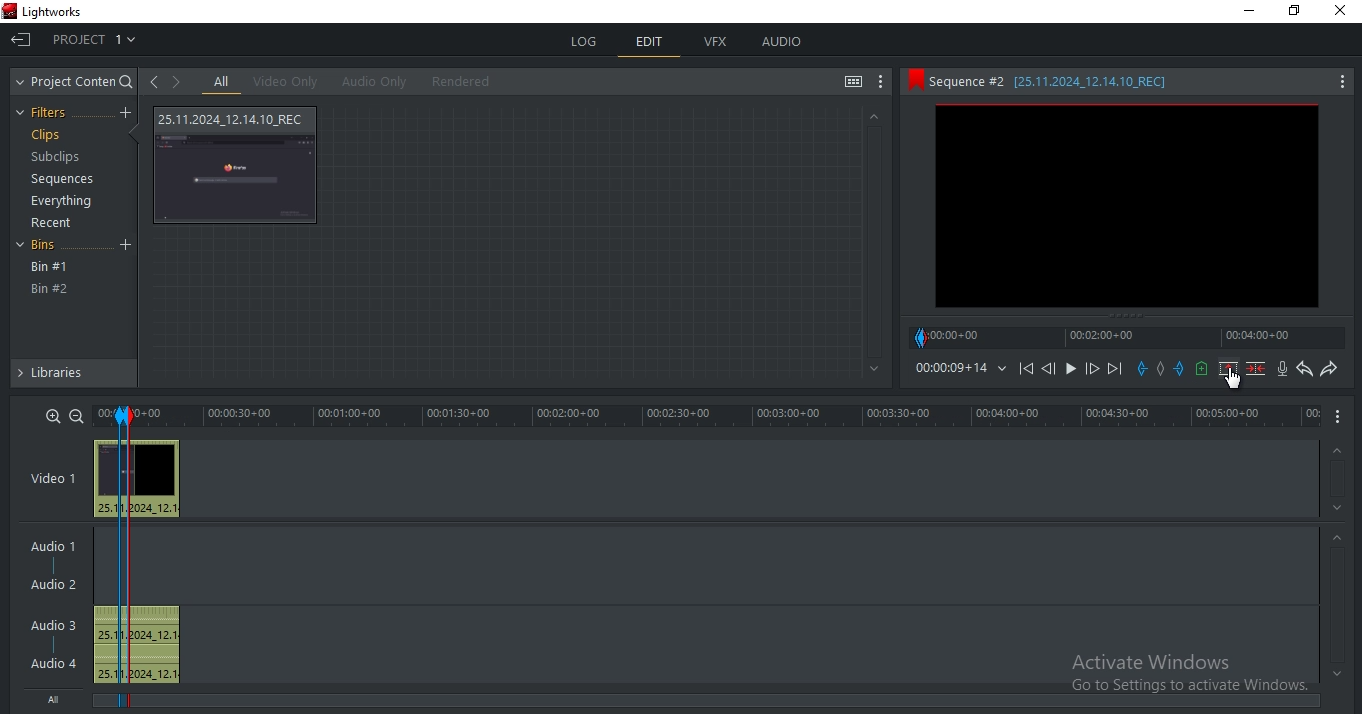  What do you see at coordinates (1338, 508) in the screenshot?
I see `Down` at bounding box center [1338, 508].